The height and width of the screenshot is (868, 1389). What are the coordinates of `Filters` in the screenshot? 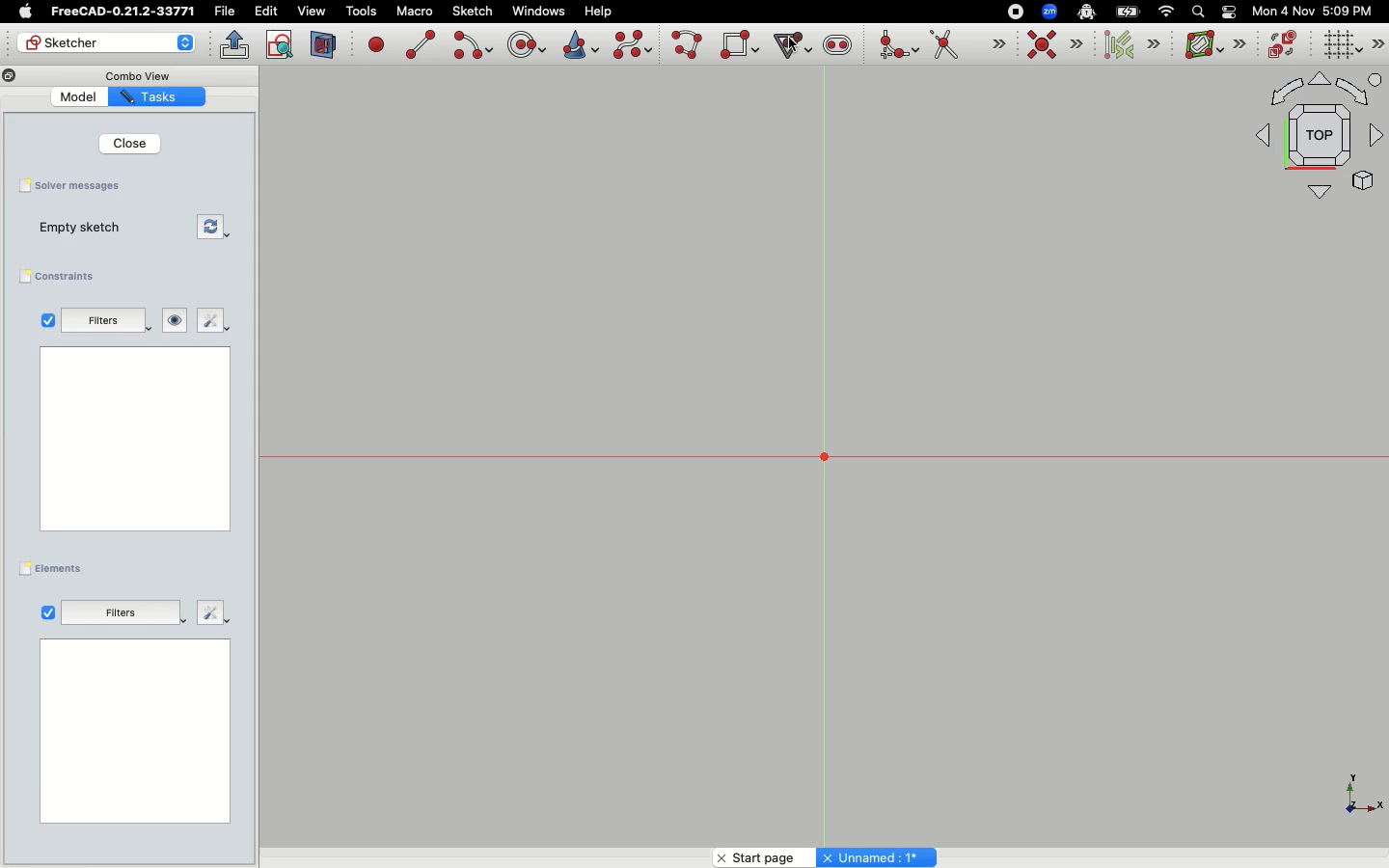 It's located at (107, 319).